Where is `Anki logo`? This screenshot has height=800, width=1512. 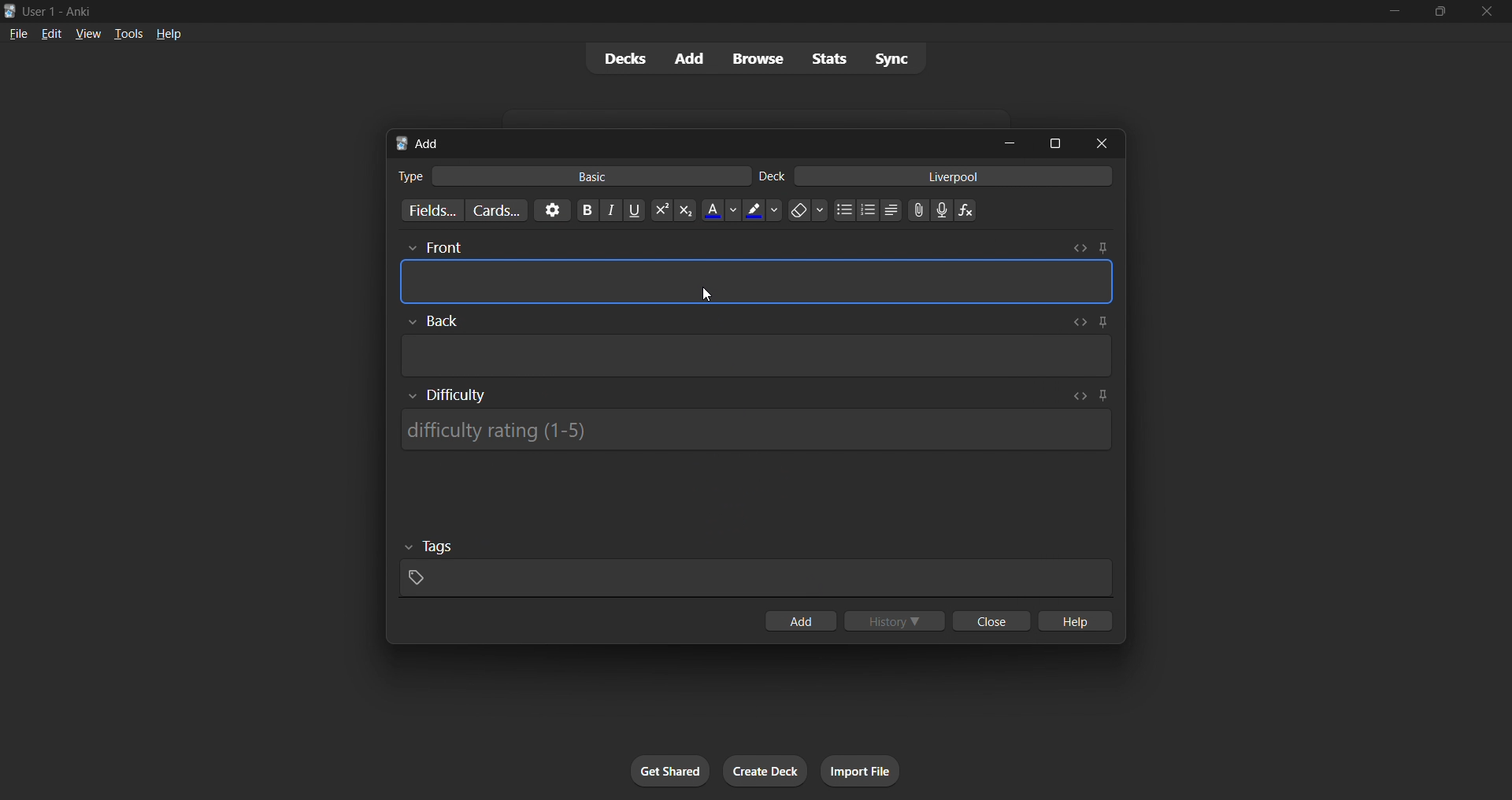 Anki logo is located at coordinates (402, 143).